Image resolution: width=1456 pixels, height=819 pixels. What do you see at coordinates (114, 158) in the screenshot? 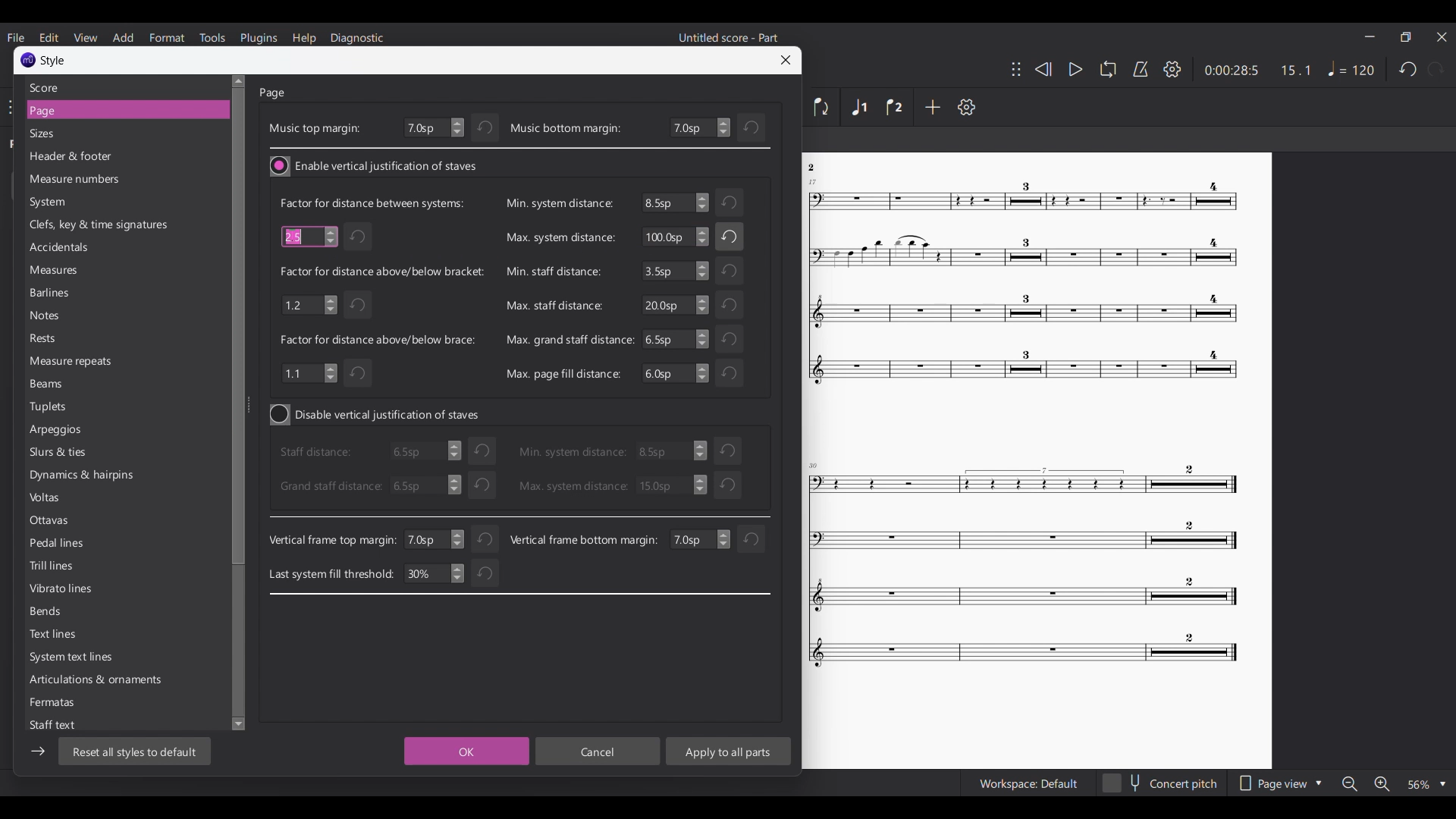
I see `Header & footer` at bounding box center [114, 158].